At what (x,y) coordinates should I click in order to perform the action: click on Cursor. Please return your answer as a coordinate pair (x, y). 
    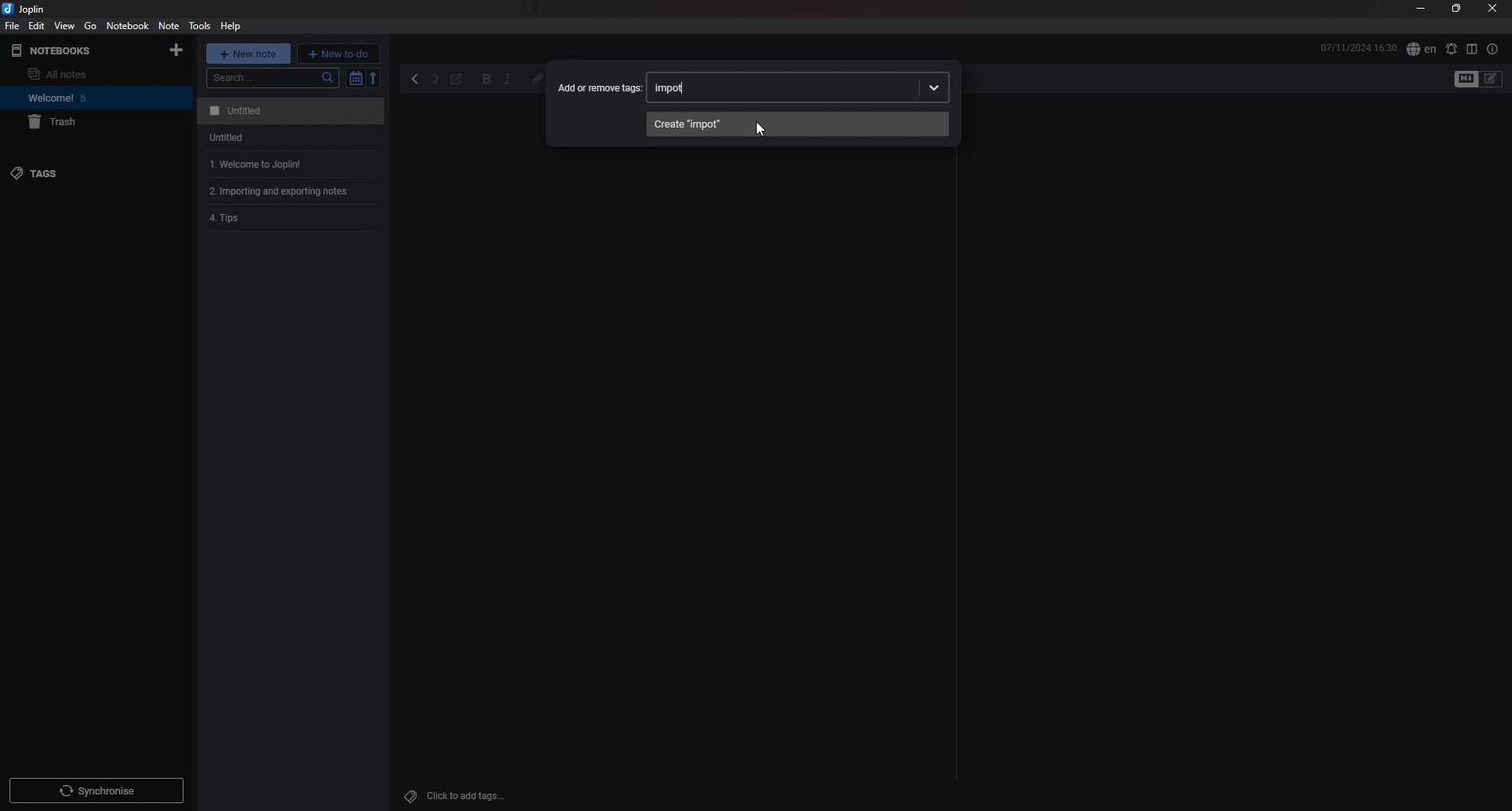
    Looking at the image, I should click on (760, 129).